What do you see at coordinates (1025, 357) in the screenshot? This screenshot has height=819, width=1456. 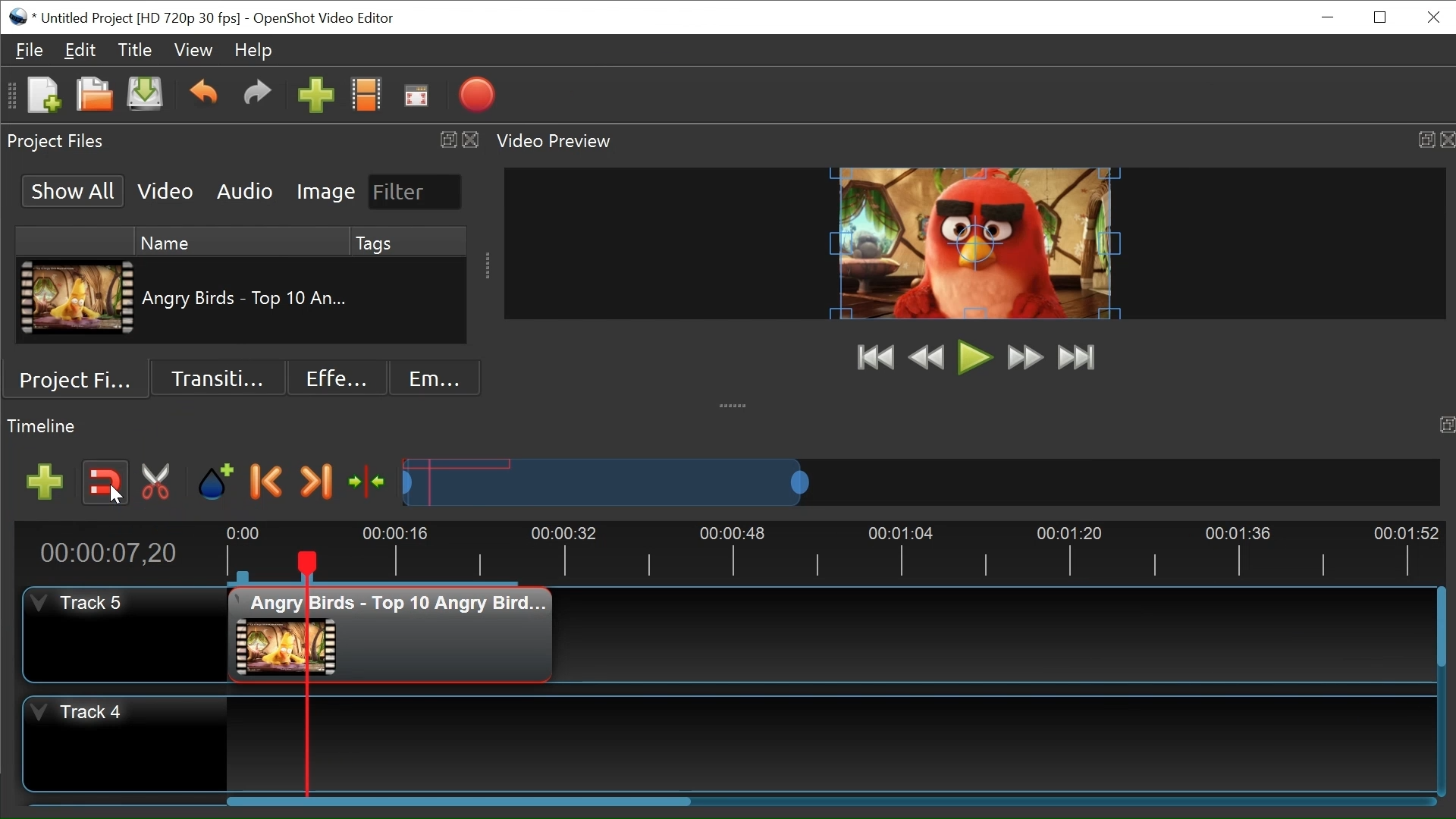 I see `Fast Forward` at bounding box center [1025, 357].